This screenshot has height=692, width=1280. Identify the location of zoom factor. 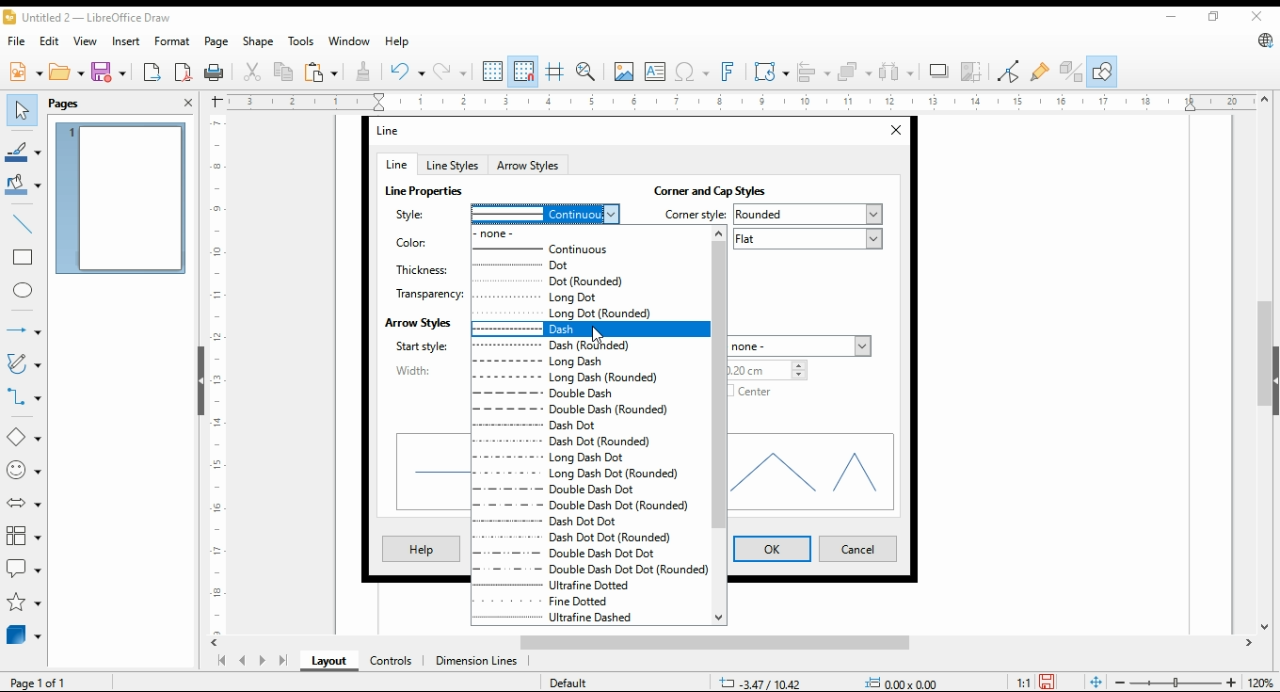
(1262, 683).